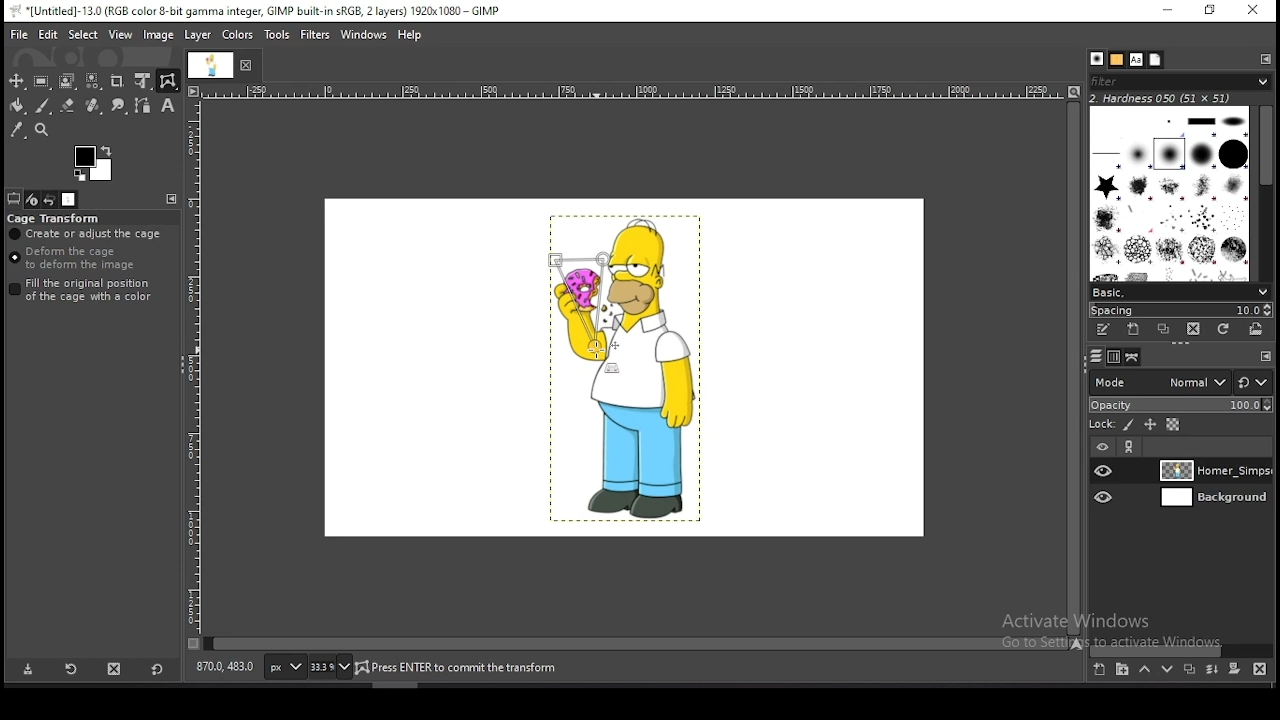 The height and width of the screenshot is (720, 1280). What do you see at coordinates (116, 670) in the screenshot?
I see `delete tool preset` at bounding box center [116, 670].